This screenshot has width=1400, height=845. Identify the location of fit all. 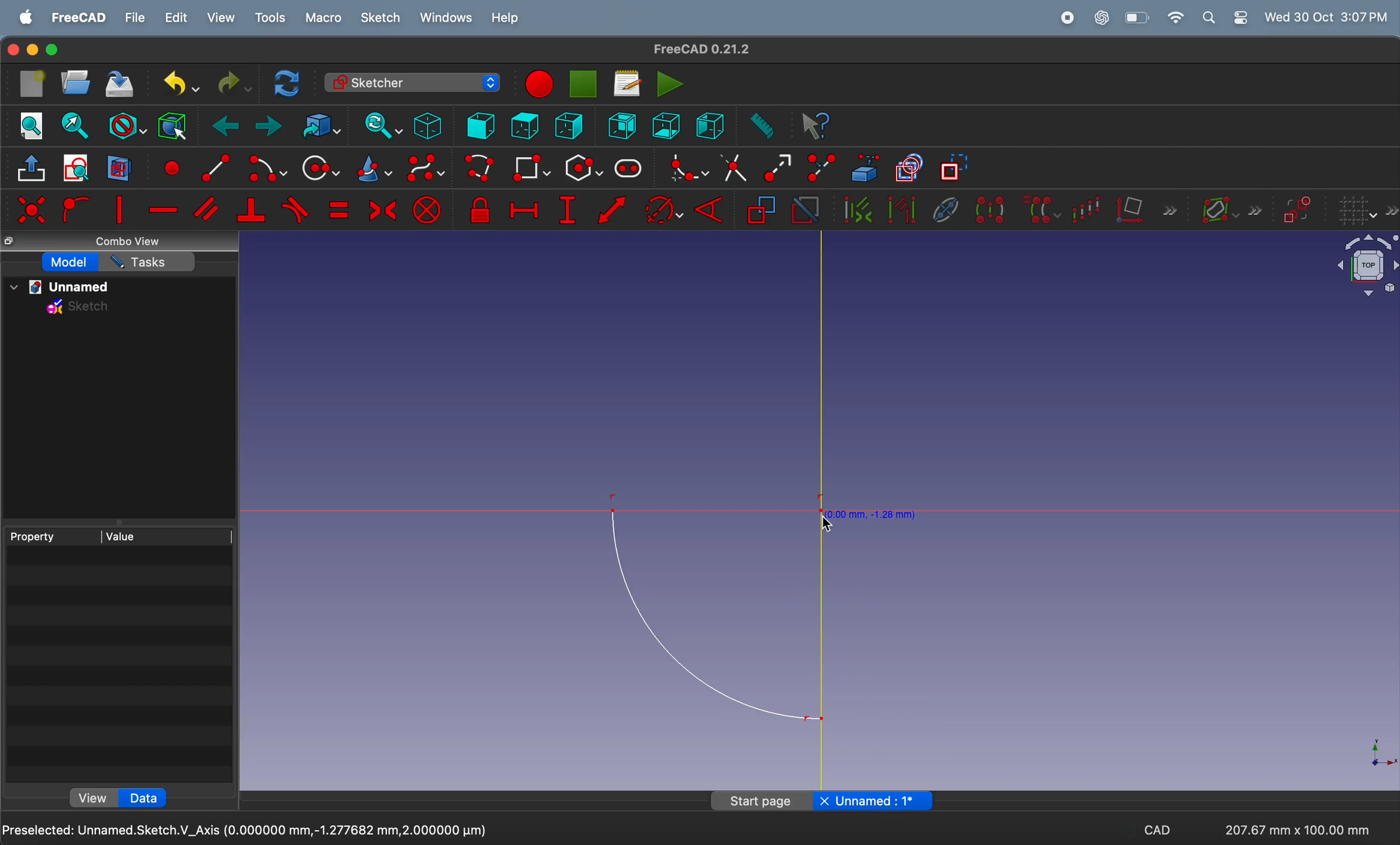
(32, 124).